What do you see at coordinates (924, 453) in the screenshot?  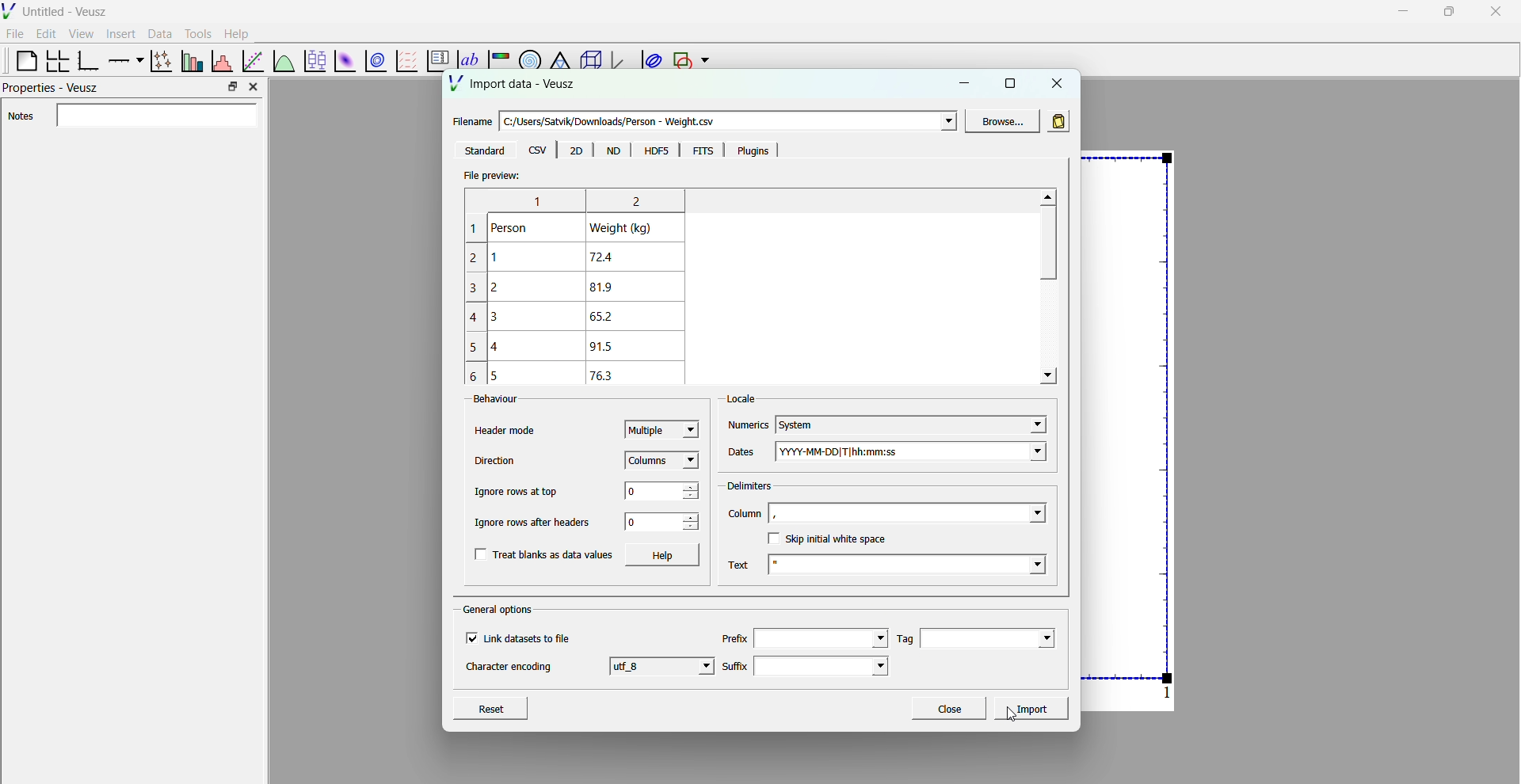 I see `YYYY-MM-DD|T|hh:mm:ss - dropdown` at bounding box center [924, 453].